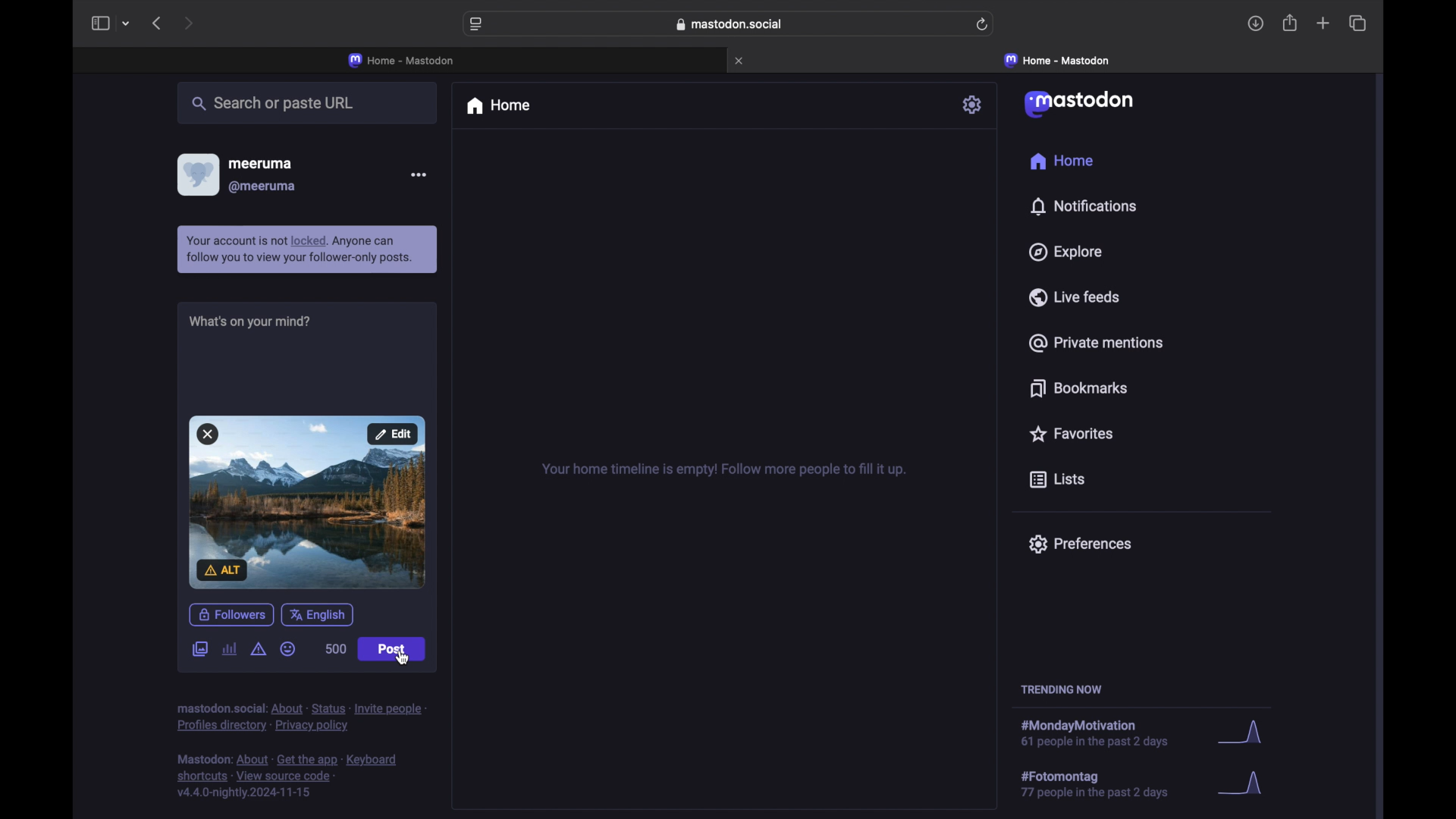 The width and height of the screenshot is (1456, 819). Describe the element at coordinates (1357, 23) in the screenshot. I see `show tab overview` at that location.